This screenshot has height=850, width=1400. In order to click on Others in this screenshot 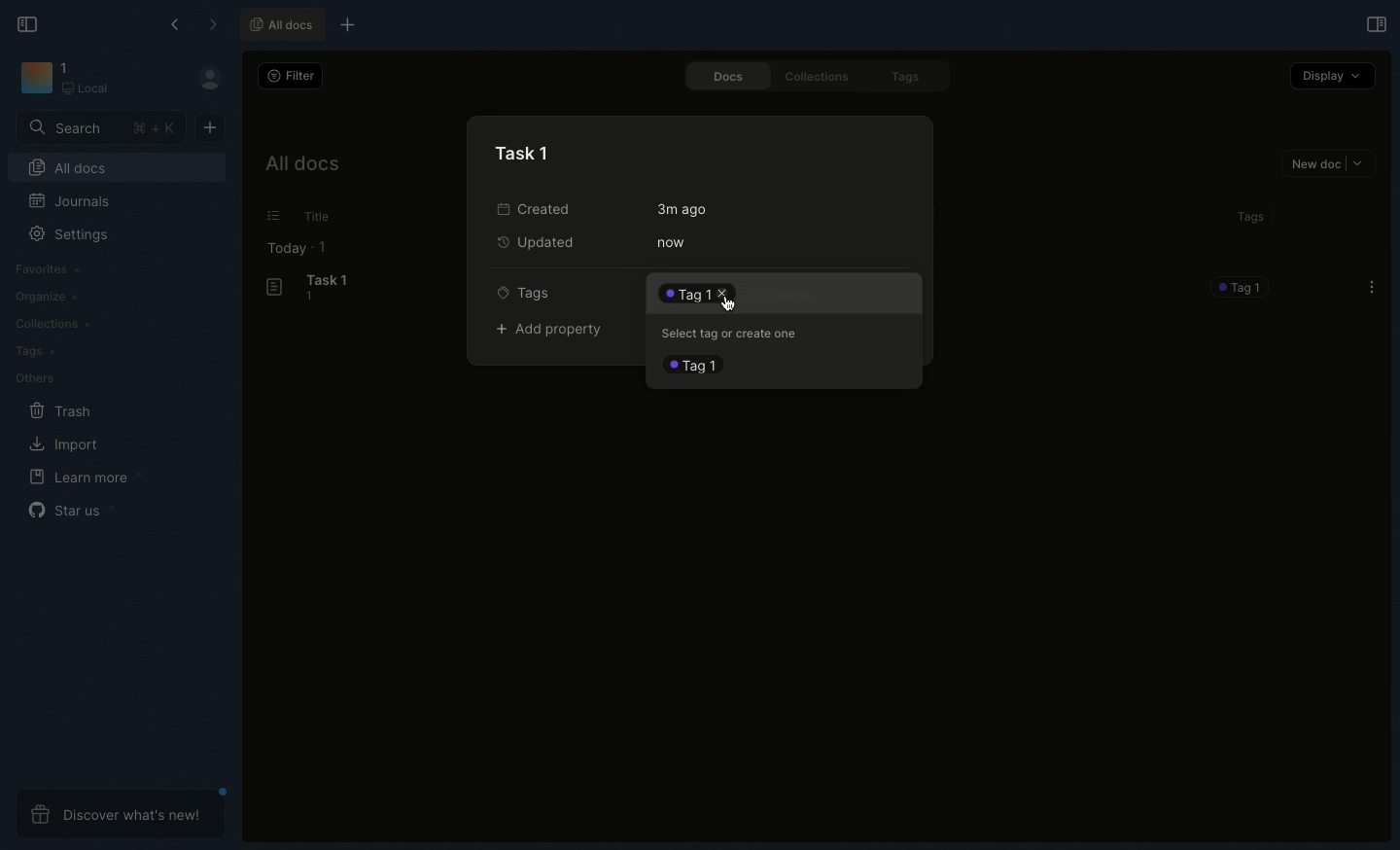, I will do `click(40, 379)`.